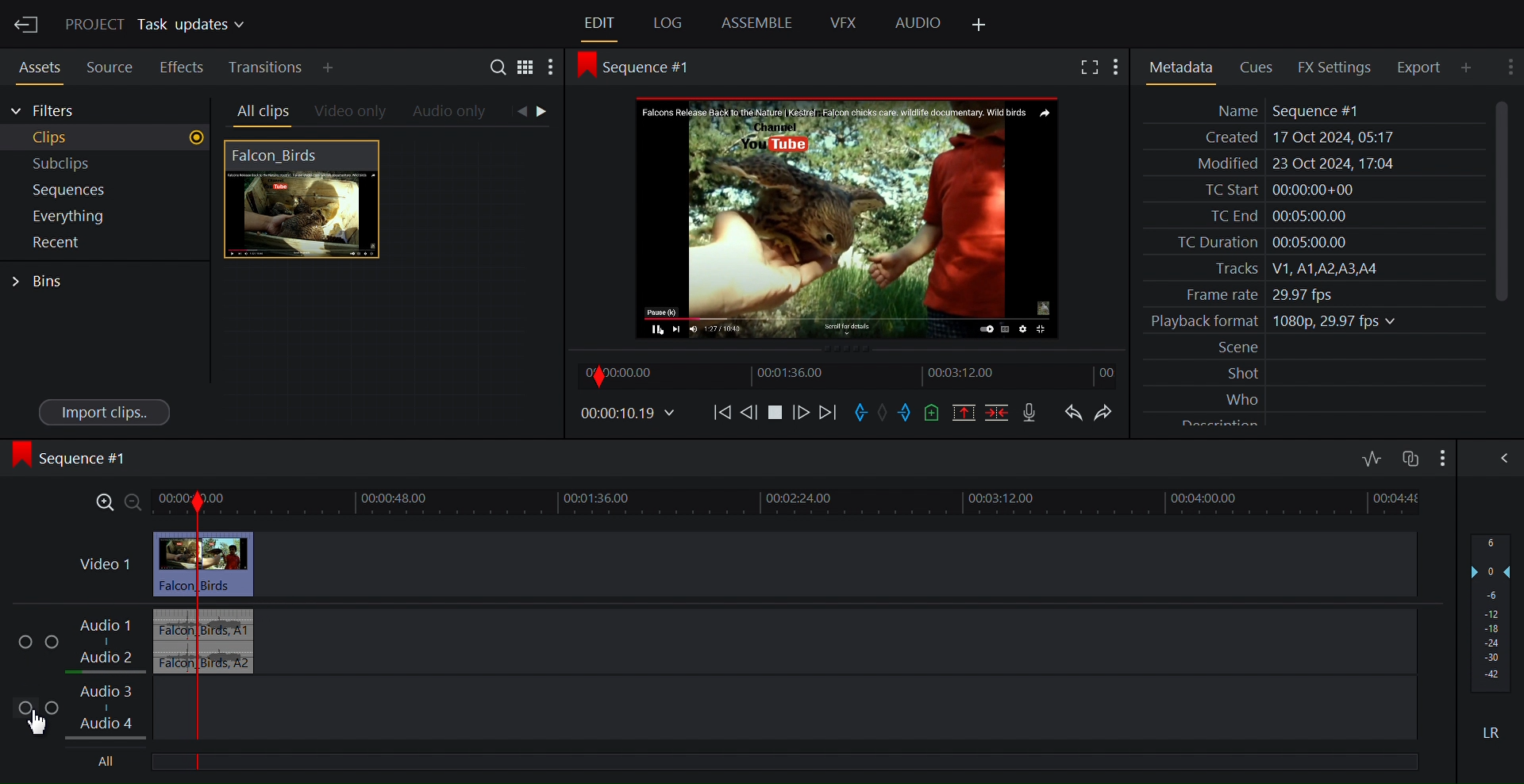 The width and height of the screenshot is (1524, 784). What do you see at coordinates (235, 564) in the screenshot?
I see `video clip` at bounding box center [235, 564].